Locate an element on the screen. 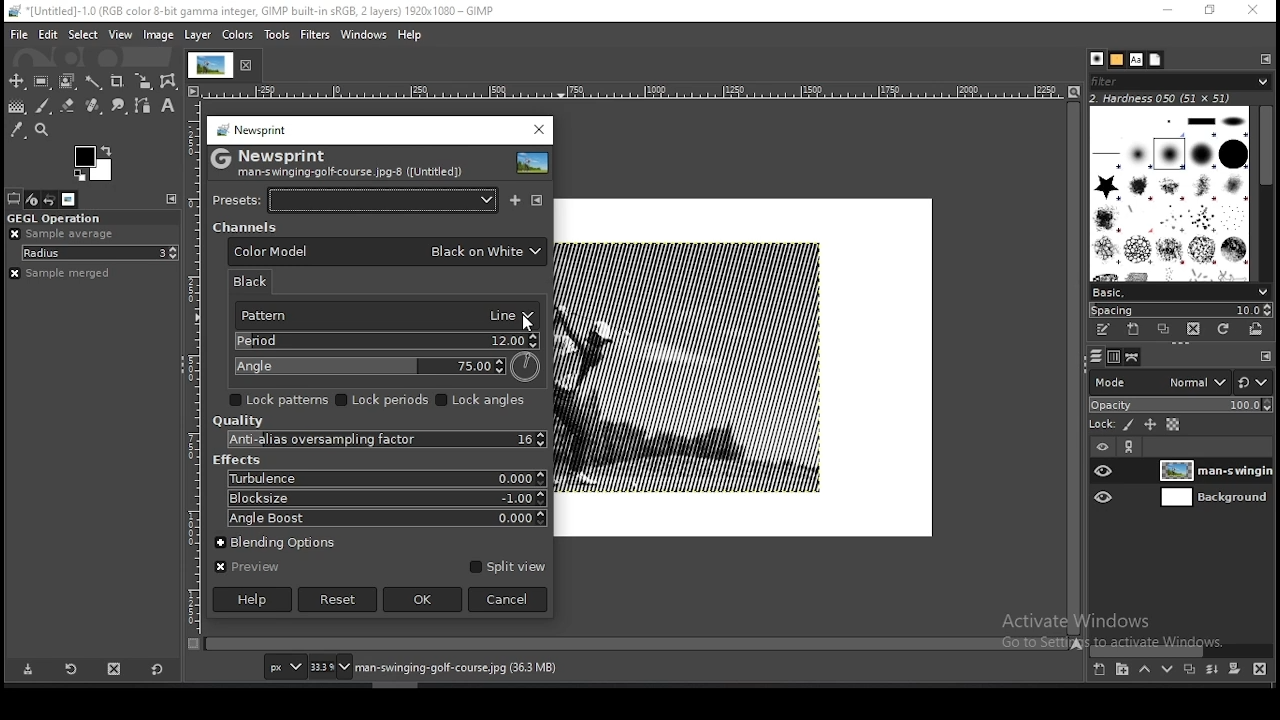 Image resolution: width=1280 pixels, height=720 pixels. blend mode is located at coordinates (1157, 382).